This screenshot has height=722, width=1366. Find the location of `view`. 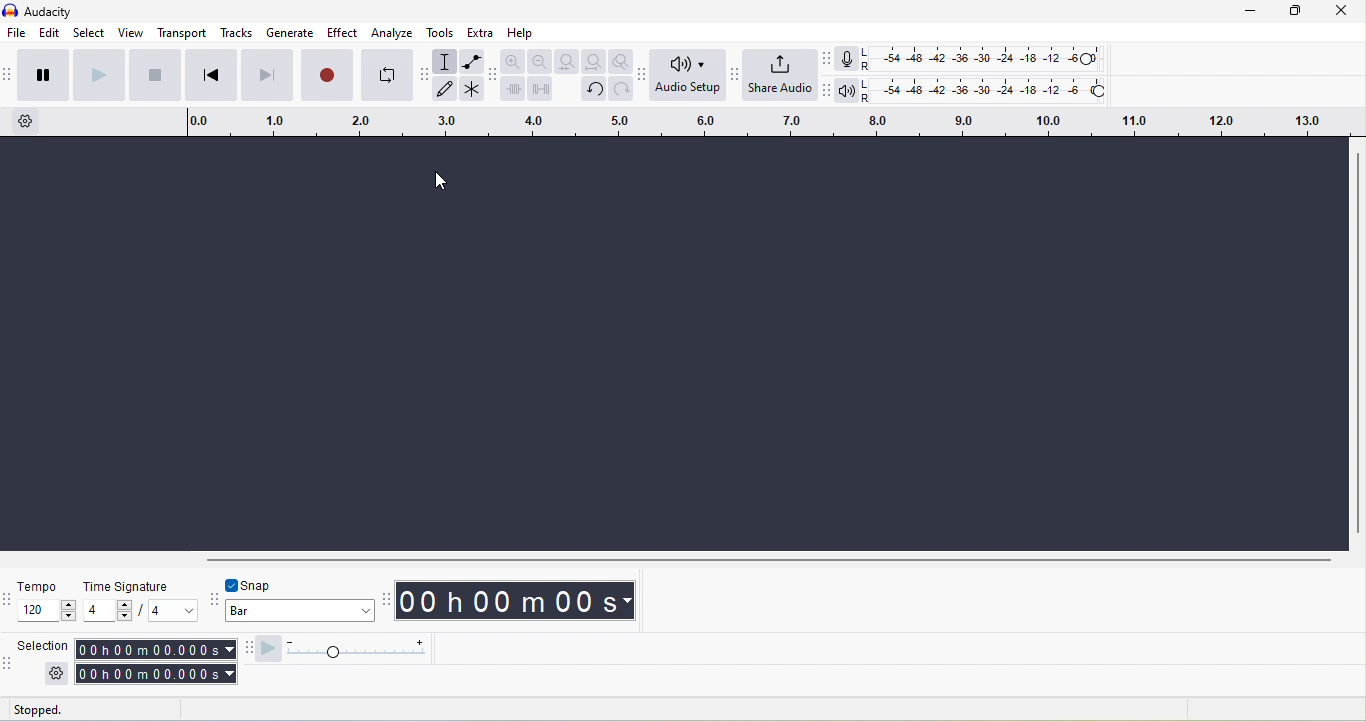

view is located at coordinates (132, 31).